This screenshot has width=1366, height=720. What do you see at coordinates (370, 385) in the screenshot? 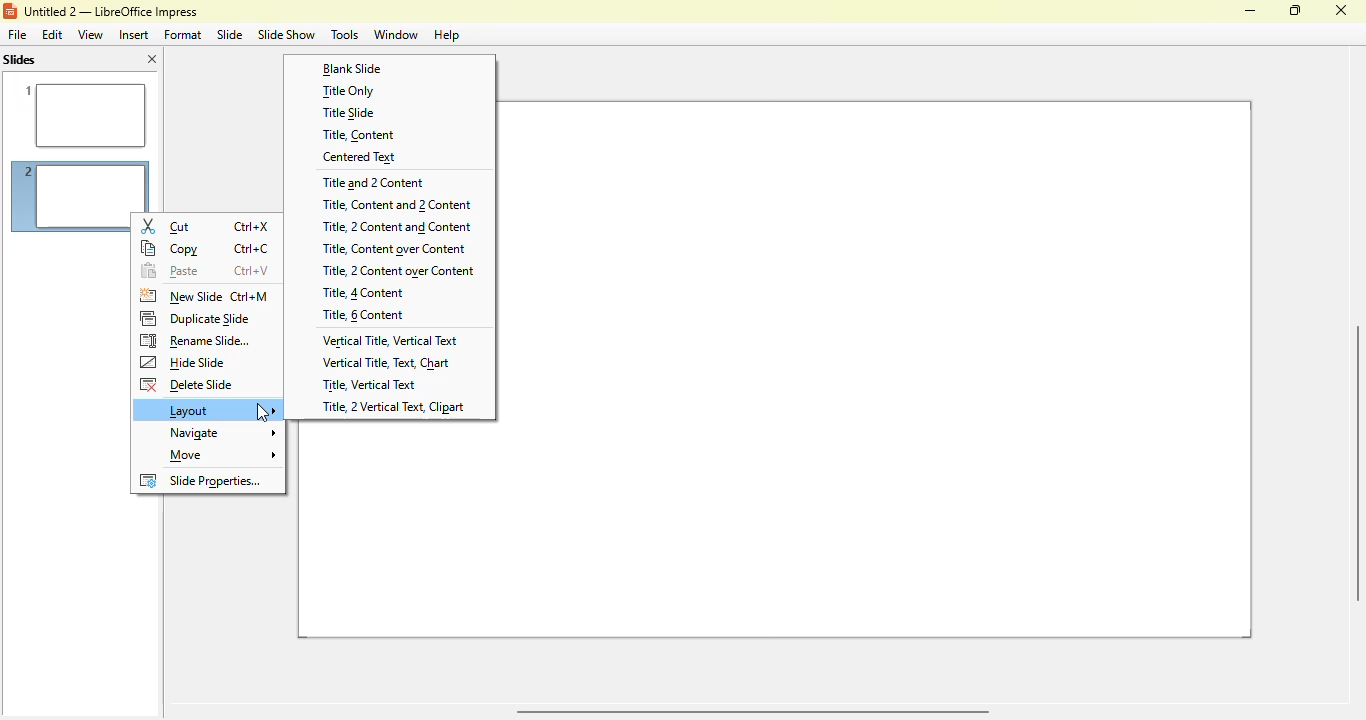
I see `title, vertical text` at bounding box center [370, 385].